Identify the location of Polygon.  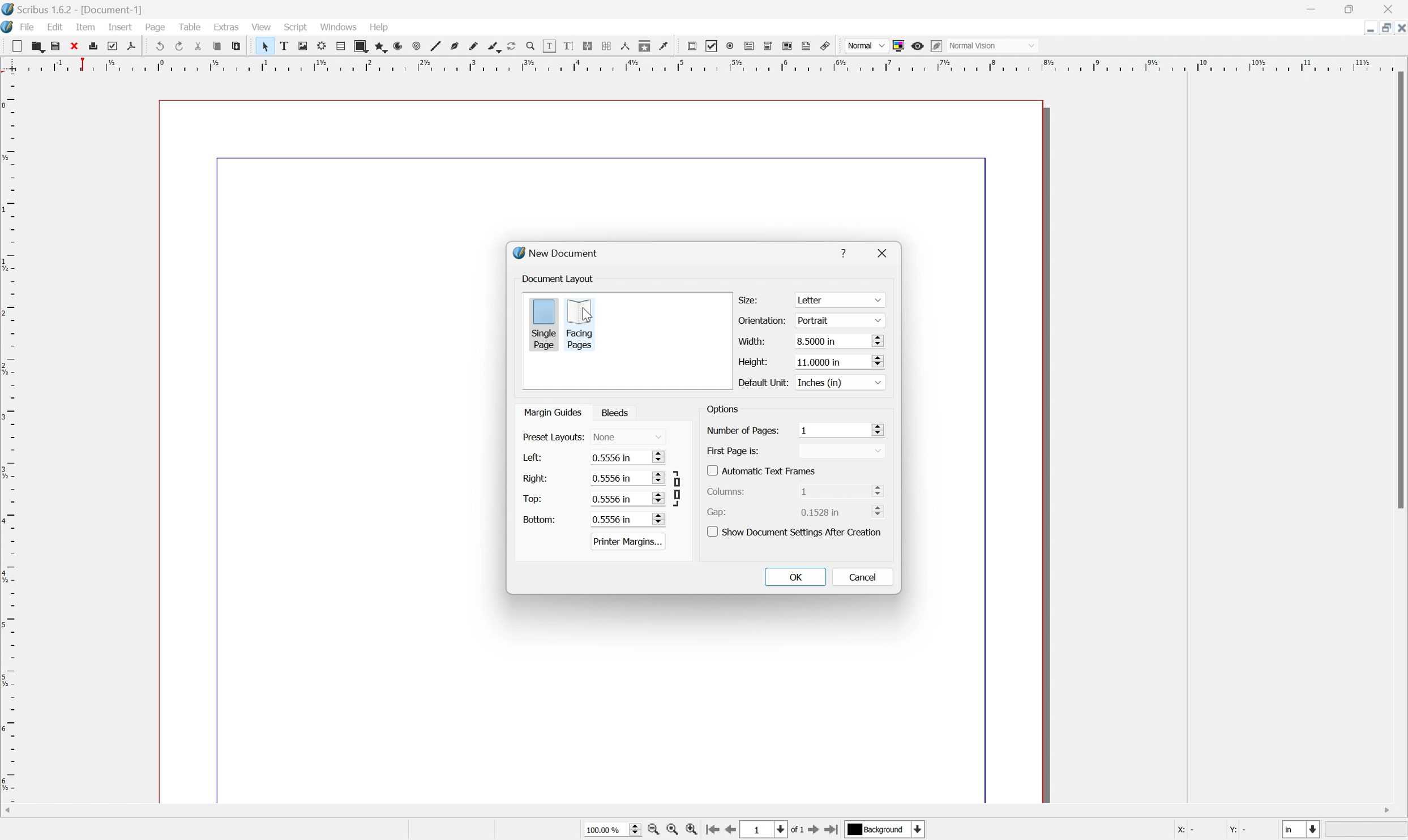
(378, 46).